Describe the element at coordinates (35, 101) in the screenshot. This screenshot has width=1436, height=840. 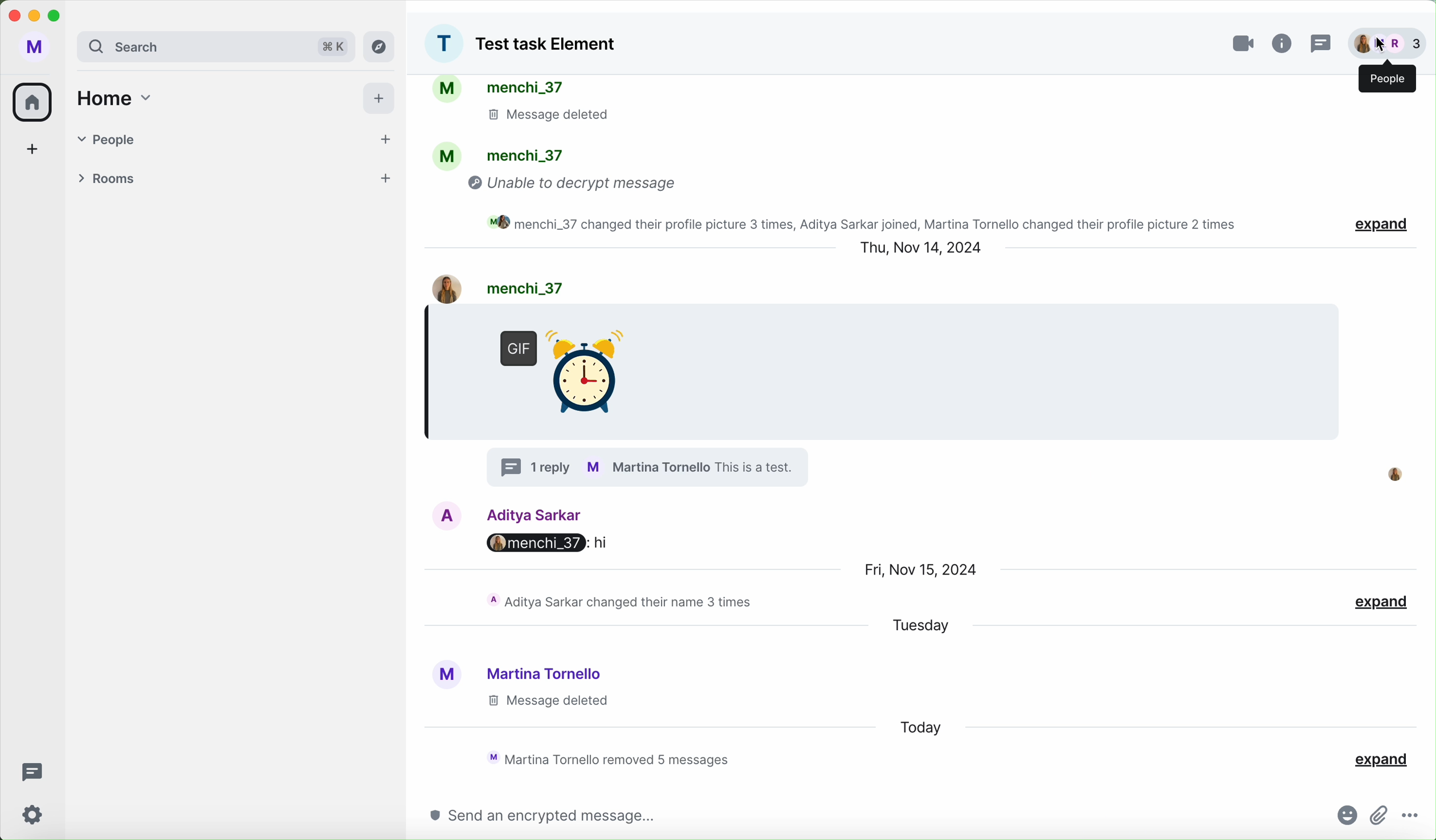
I see `home icon` at that location.